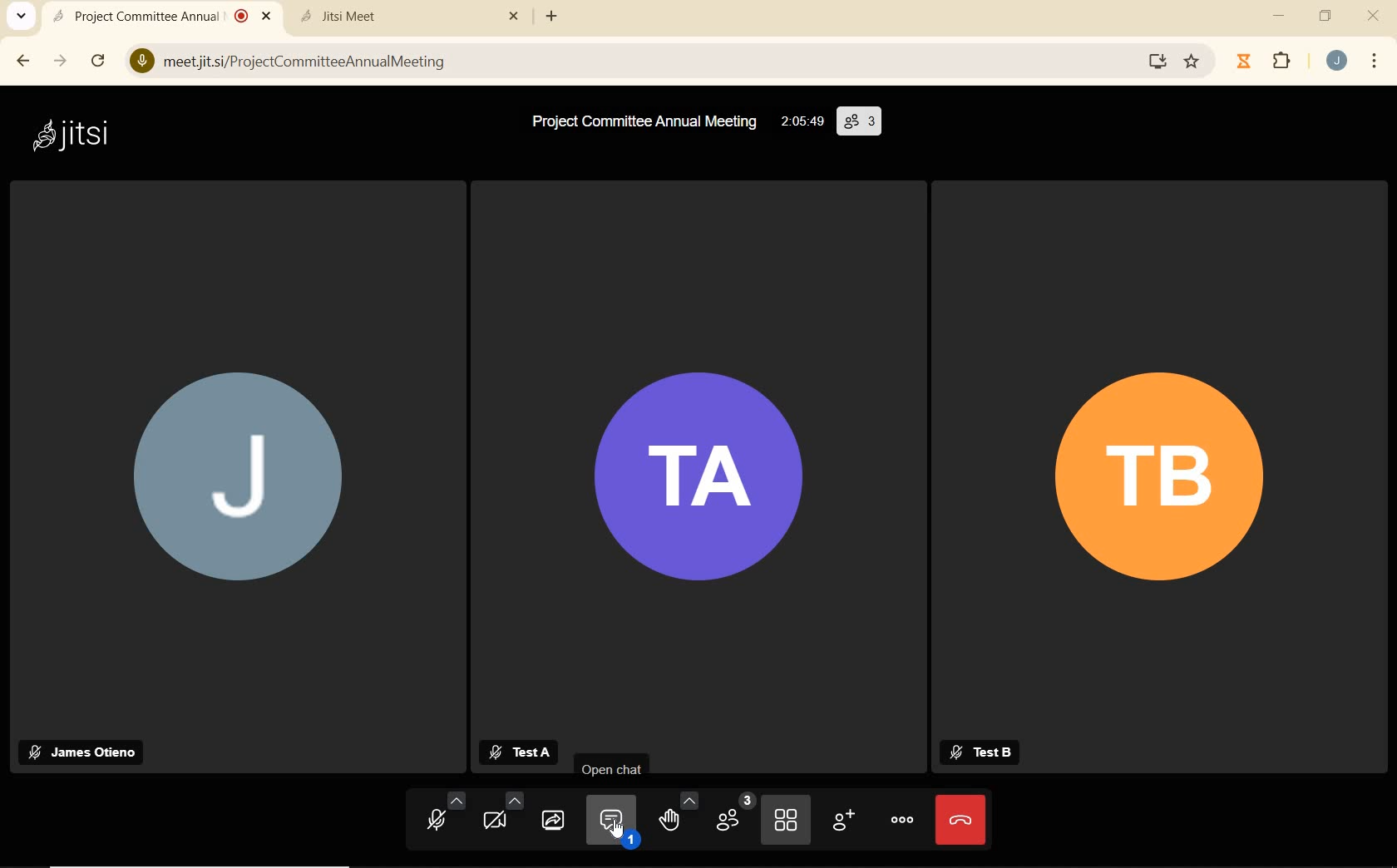 This screenshot has width=1397, height=868. What do you see at coordinates (846, 823) in the screenshot?
I see `invite people` at bounding box center [846, 823].